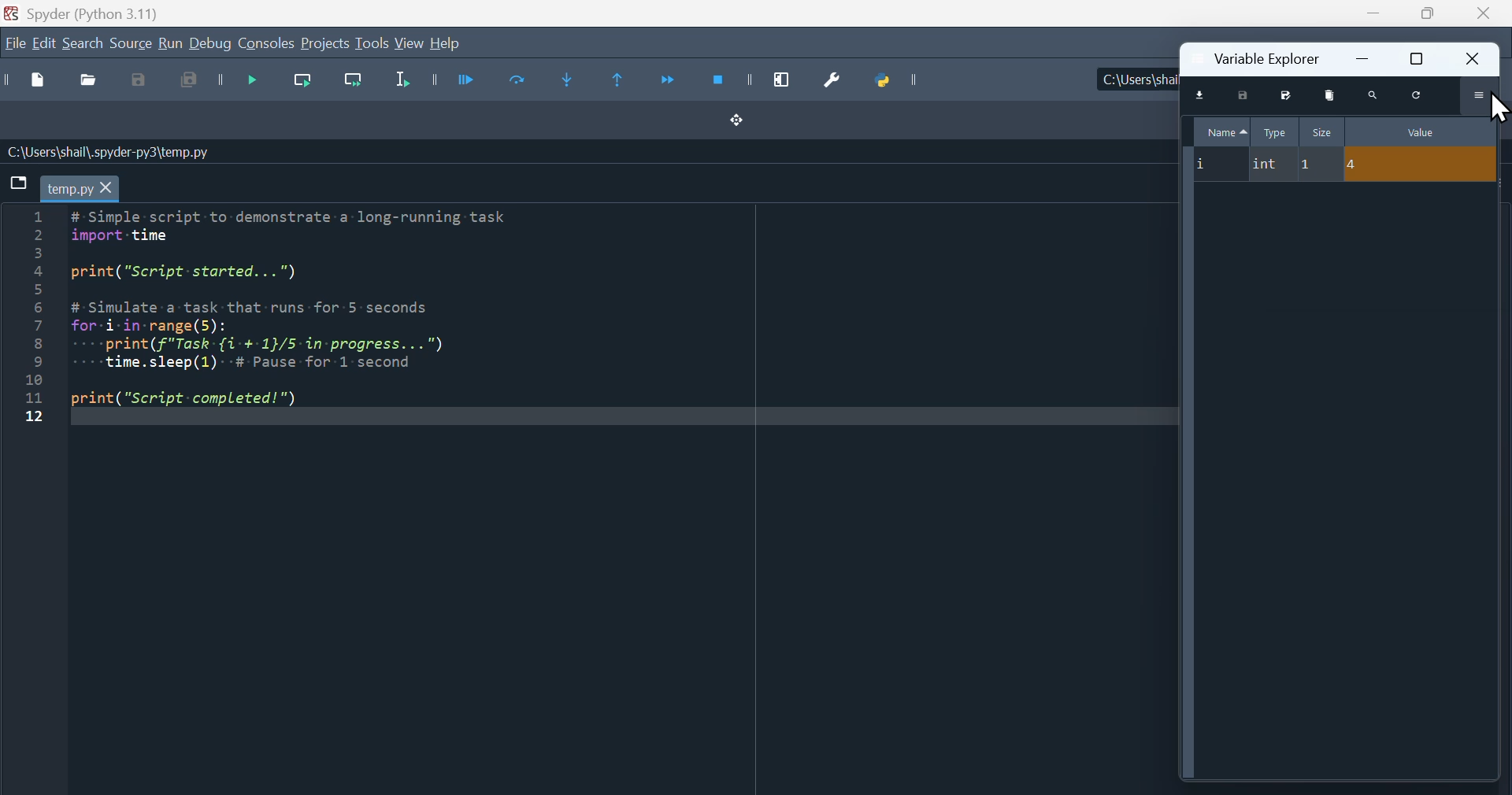 This screenshot has height=795, width=1512. What do you see at coordinates (1332, 94) in the screenshot?
I see `remove all variables` at bounding box center [1332, 94].